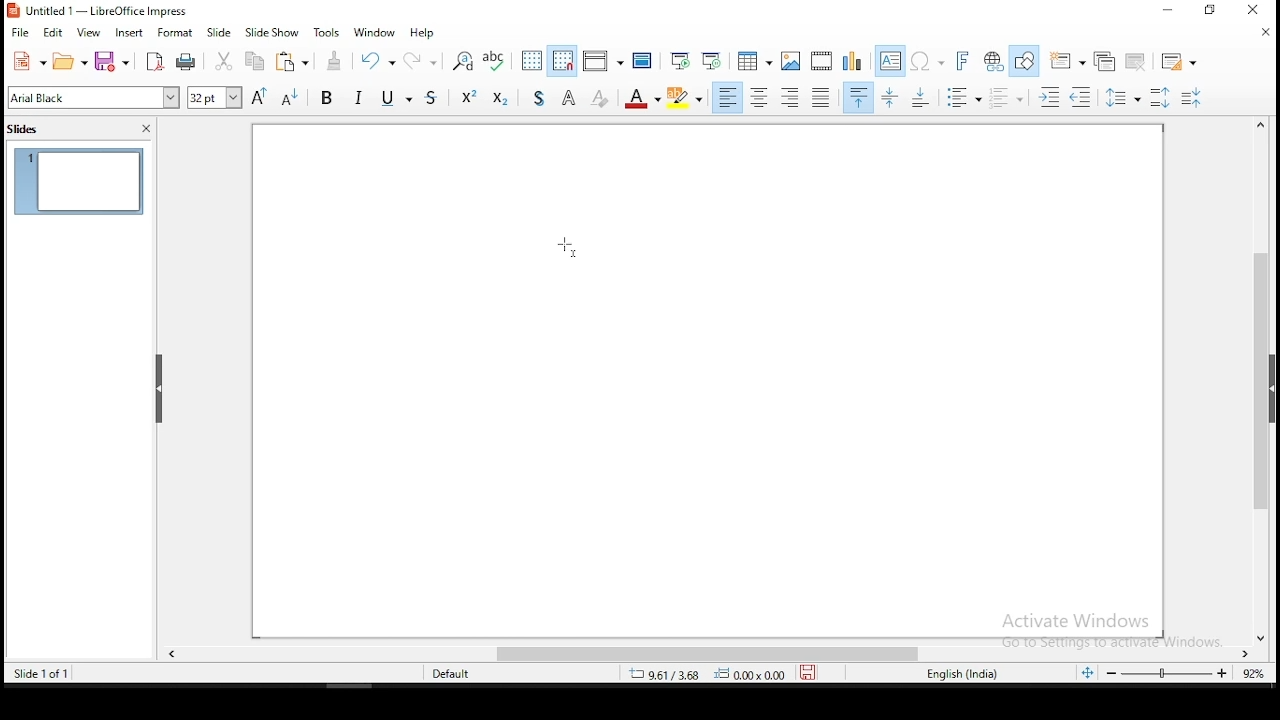 The width and height of the screenshot is (1280, 720). Describe the element at coordinates (642, 97) in the screenshot. I see `Font Color` at that location.